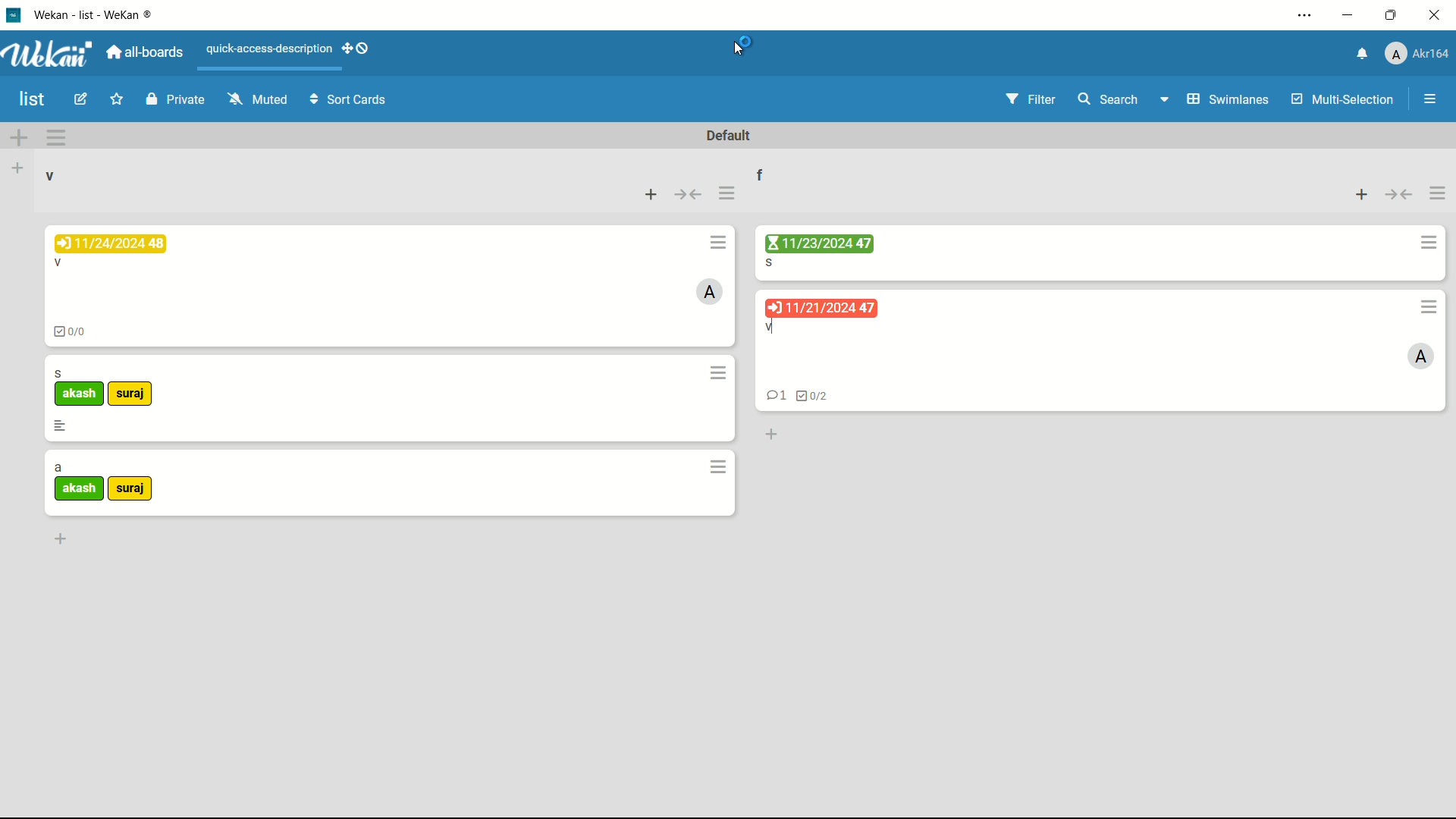 The image size is (1456, 819). I want to click on list actions, so click(1437, 195).